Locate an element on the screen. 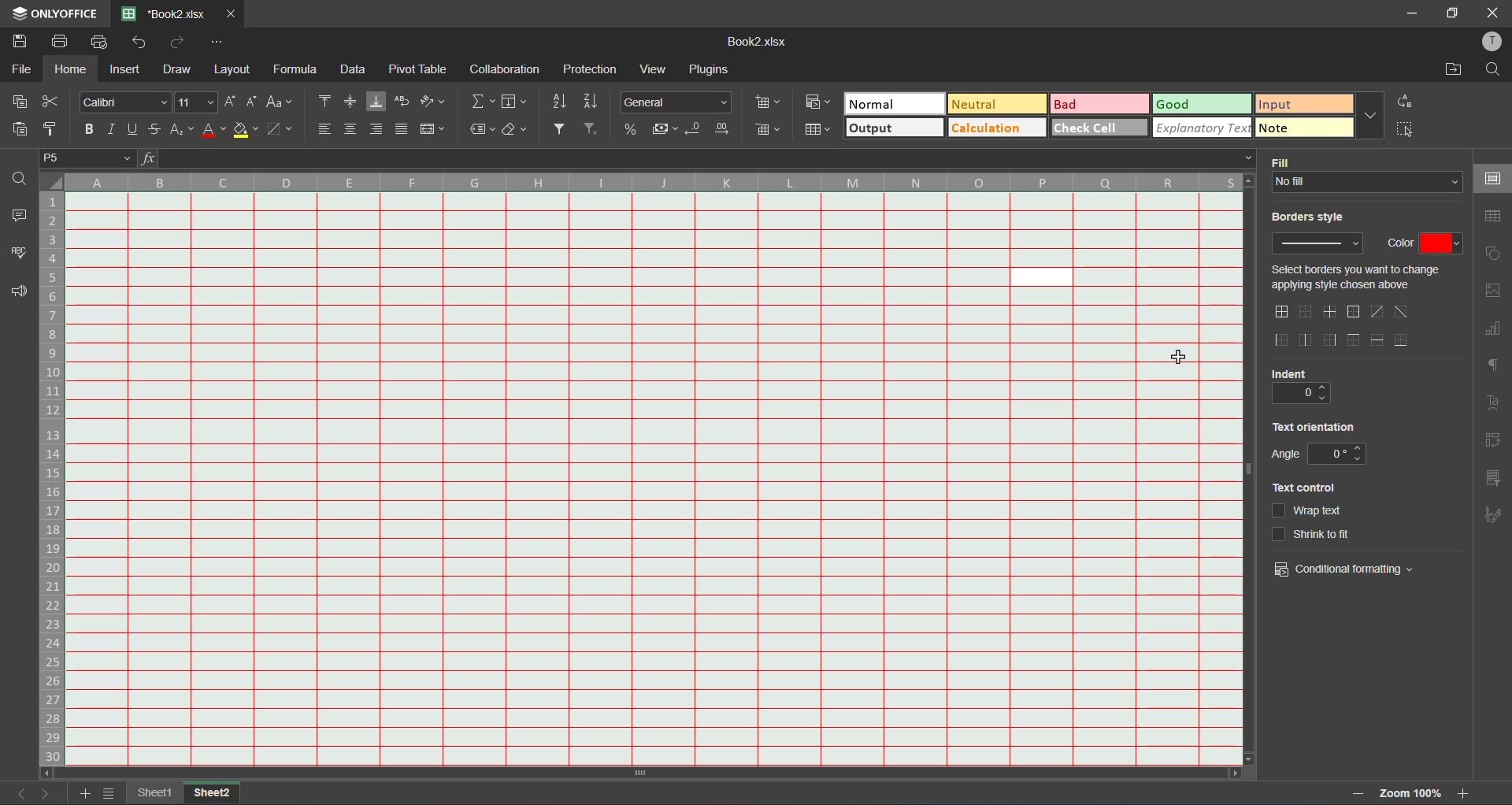 The height and width of the screenshot is (805, 1512). clear filter is located at coordinates (594, 132).